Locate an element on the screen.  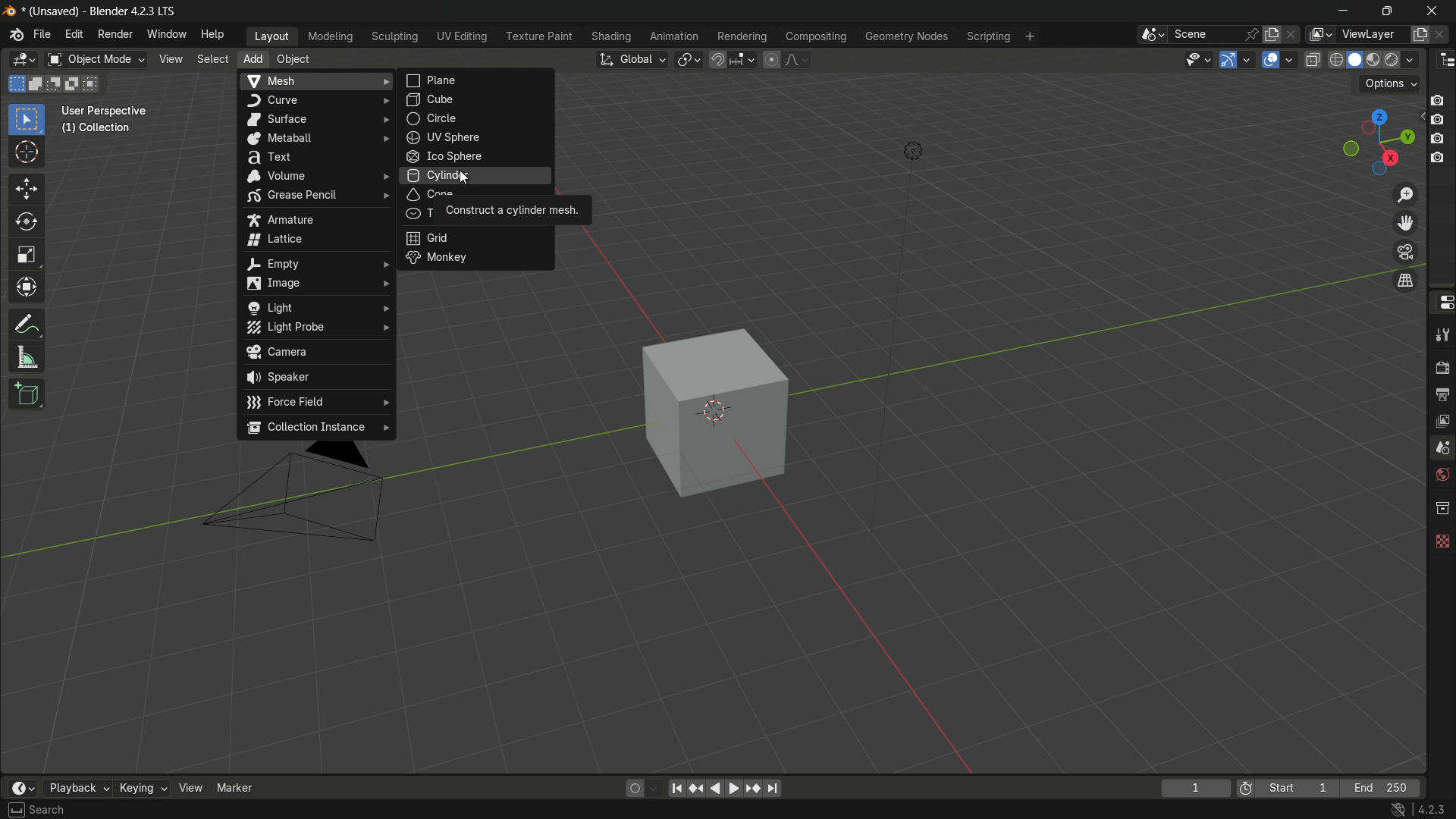
options is located at coordinates (1389, 85).